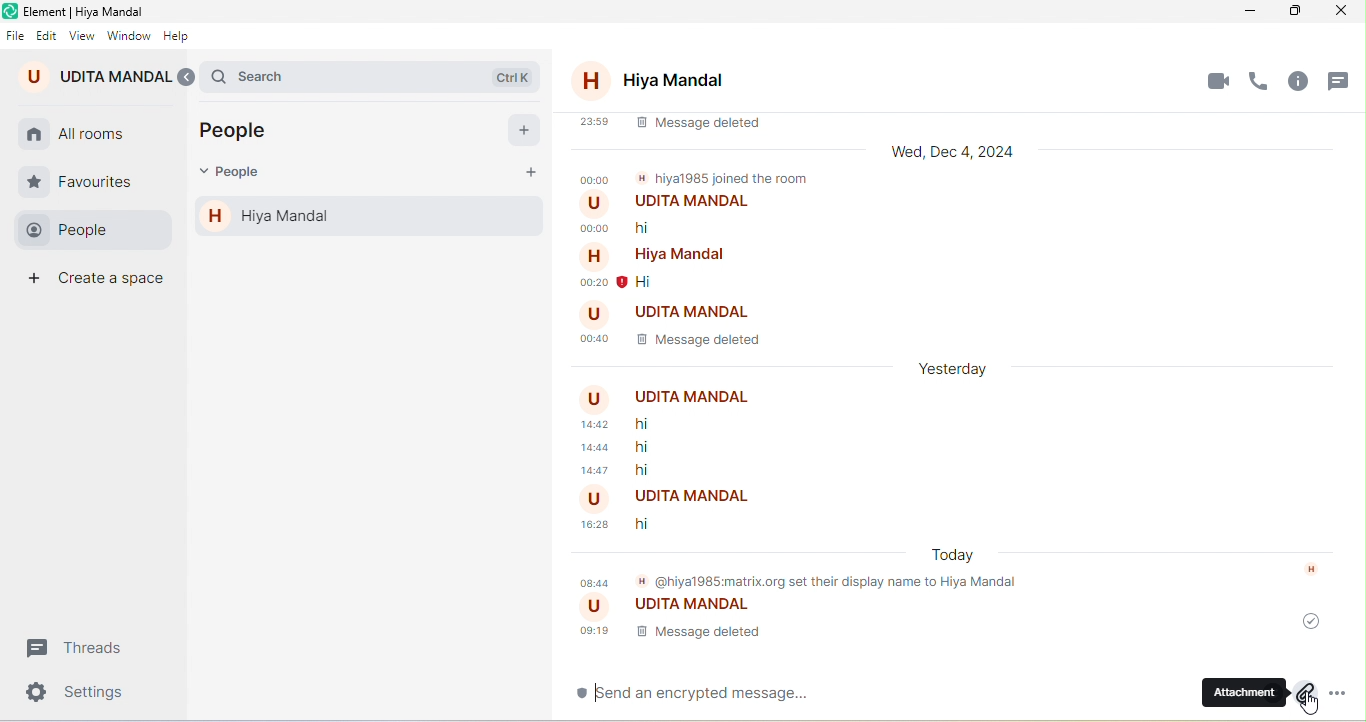  What do you see at coordinates (681, 256) in the screenshot?
I see `Hiya Mandal` at bounding box center [681, 256].